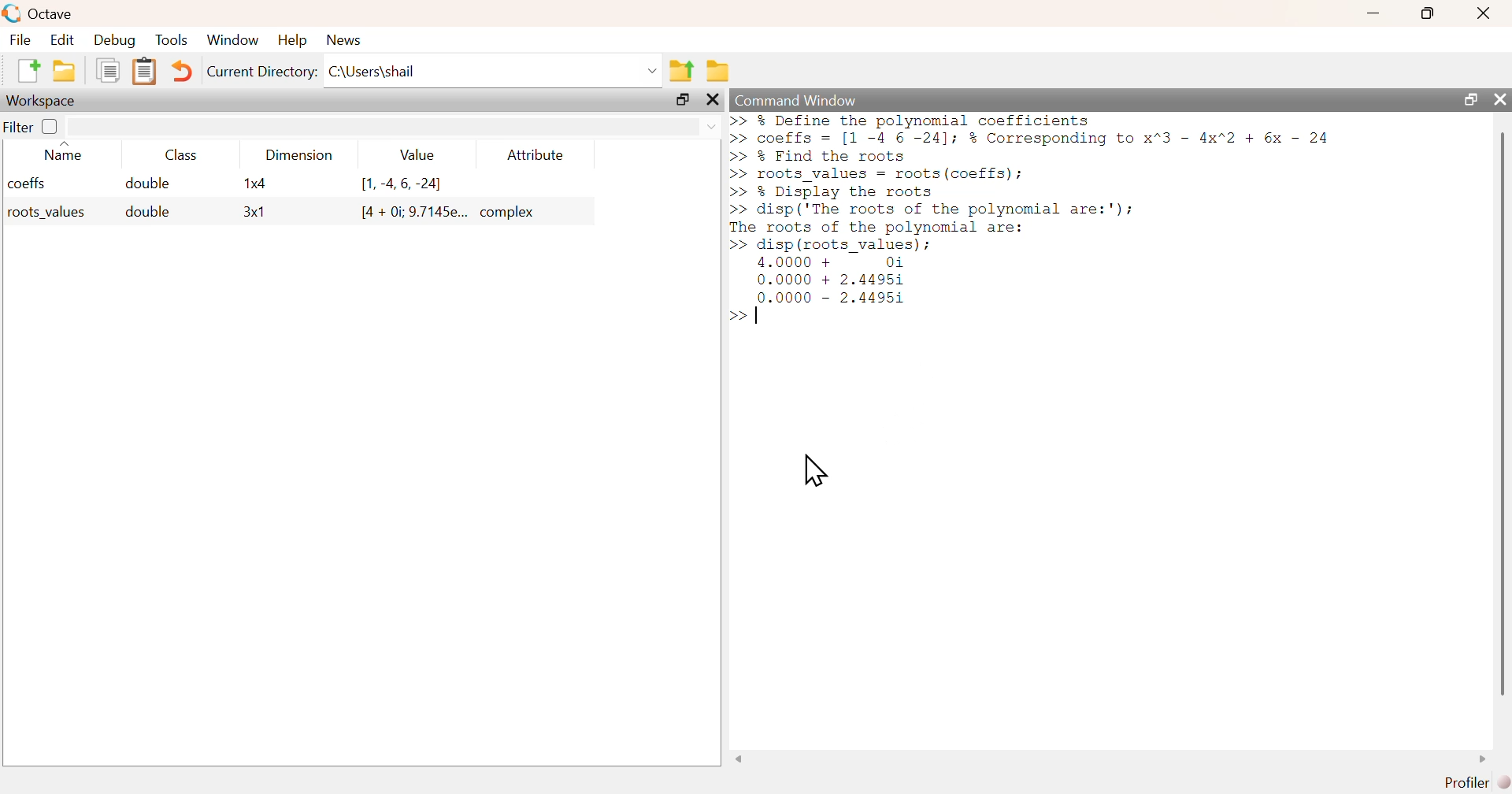 This screenshot has width=1512, height=794. I want to click on scroll right, so click(1486, 759).